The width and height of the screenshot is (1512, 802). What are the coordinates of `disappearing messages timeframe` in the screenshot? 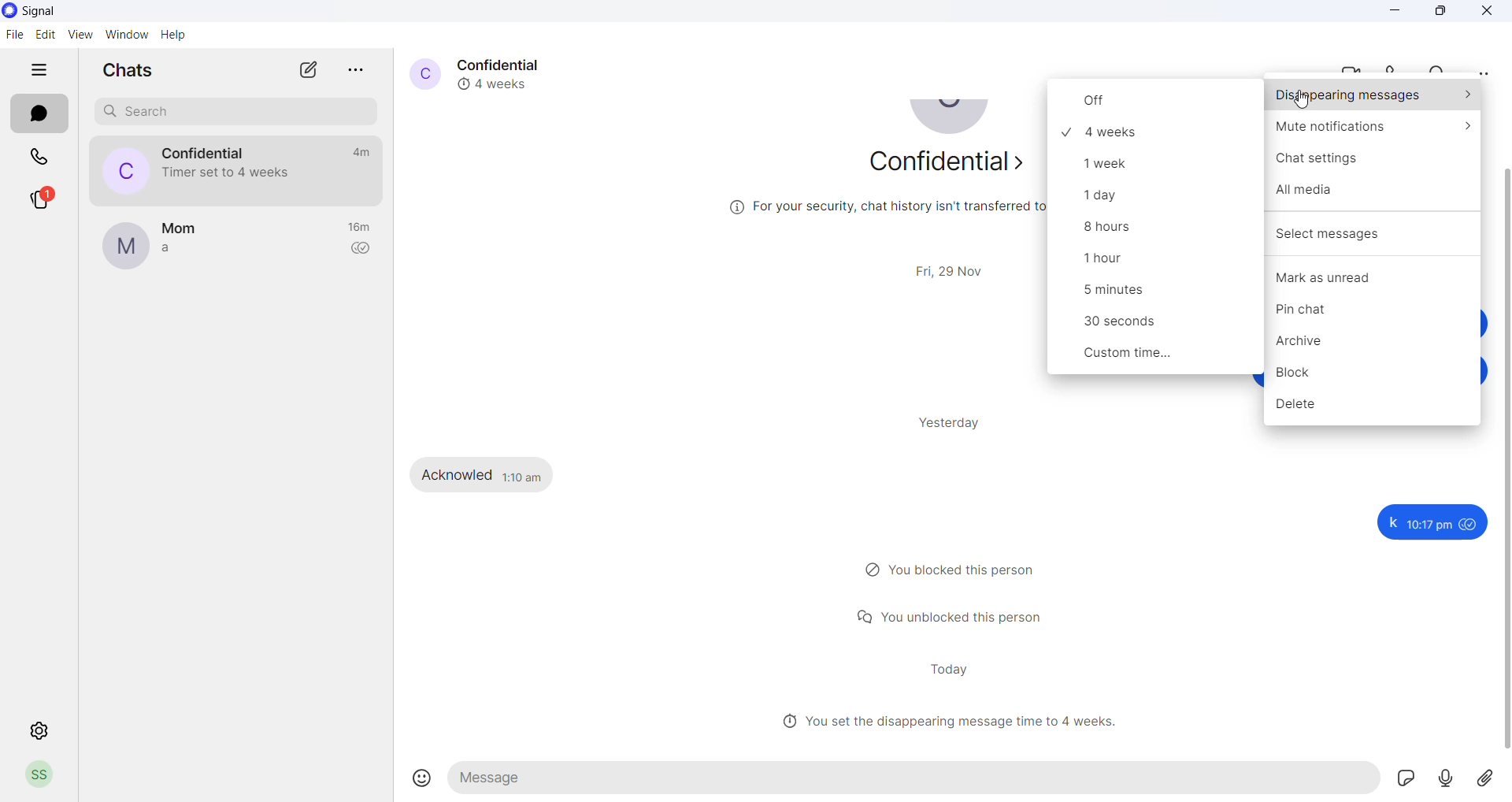 It's located at (1161, 198).